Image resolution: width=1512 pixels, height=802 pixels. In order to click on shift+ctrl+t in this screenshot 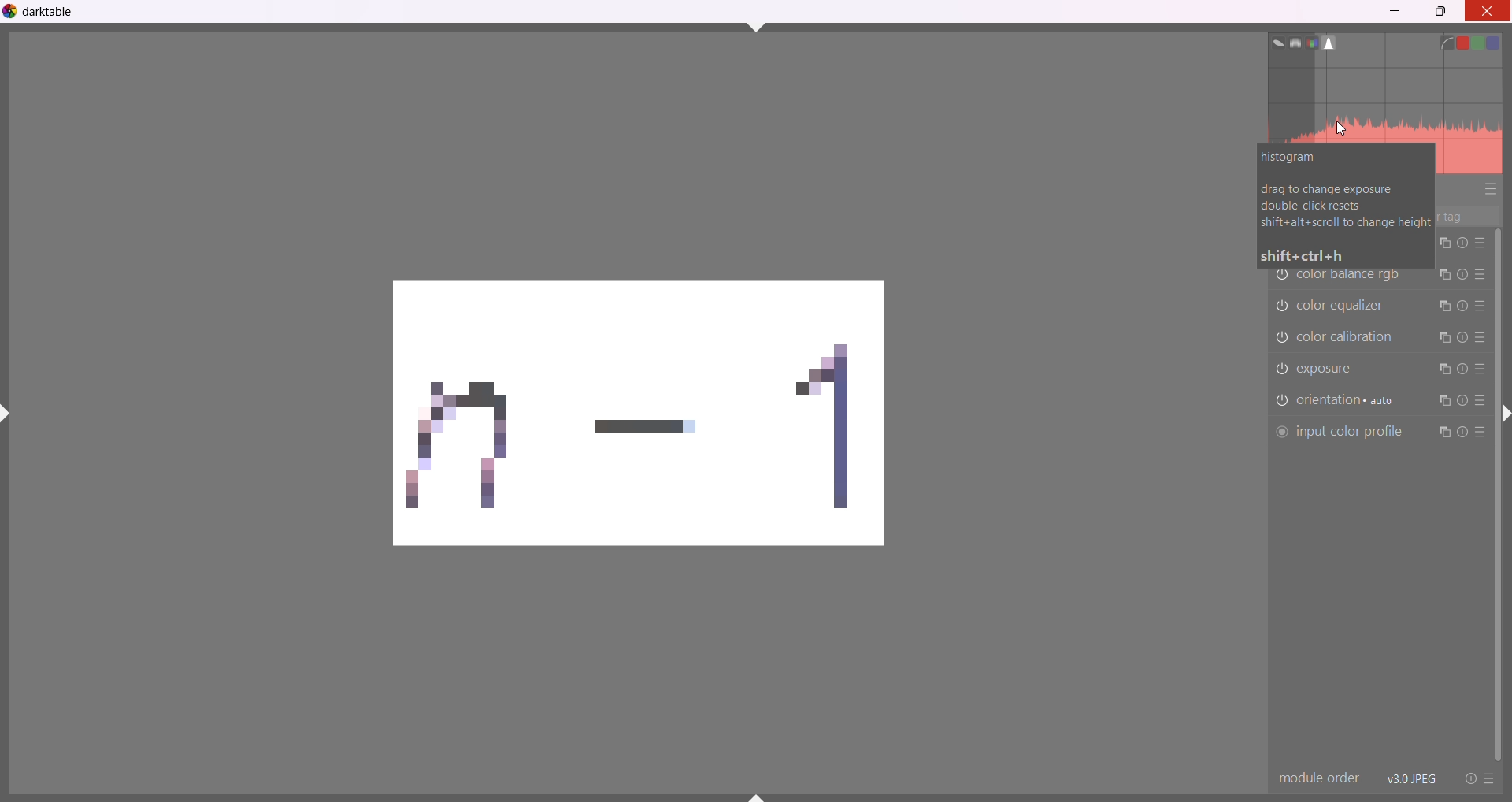, I will do `click(757, 26)`.